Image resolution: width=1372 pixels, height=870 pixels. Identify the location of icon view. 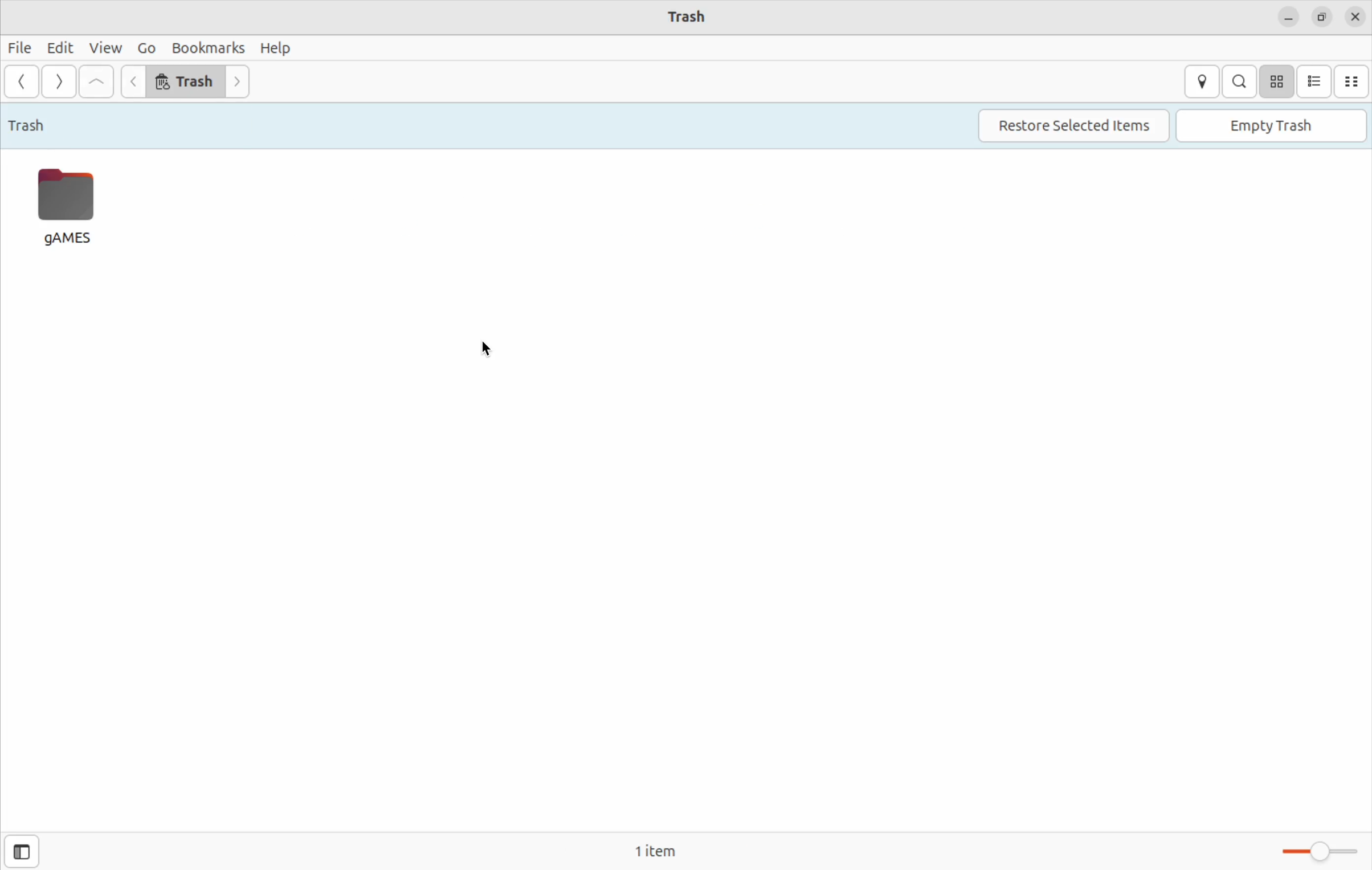
(1279, 81).